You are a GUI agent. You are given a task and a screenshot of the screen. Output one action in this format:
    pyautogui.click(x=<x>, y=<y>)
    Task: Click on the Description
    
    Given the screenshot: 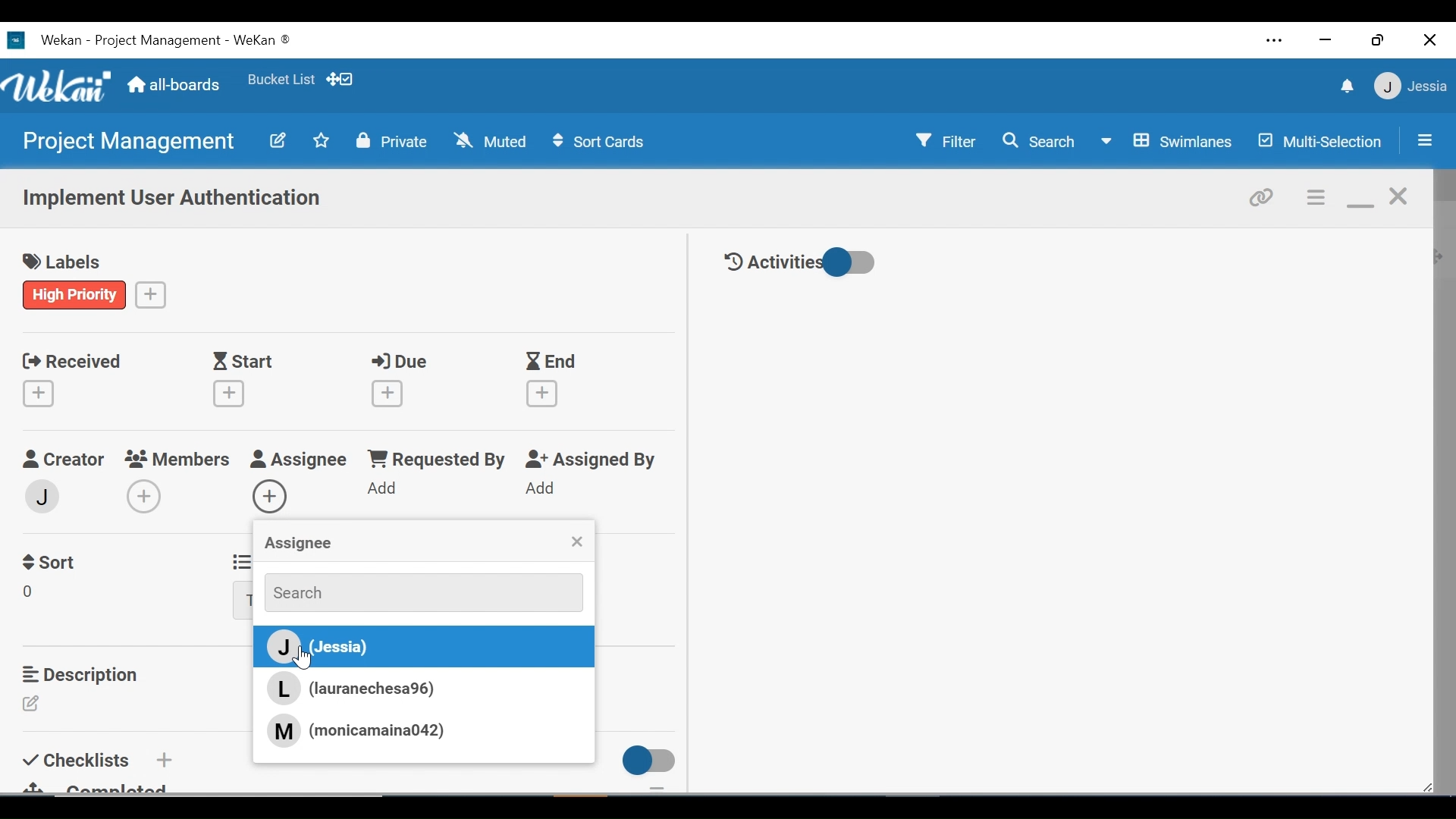 What is the action you would take?
    pyautogui.click(x=84, y=674)
    